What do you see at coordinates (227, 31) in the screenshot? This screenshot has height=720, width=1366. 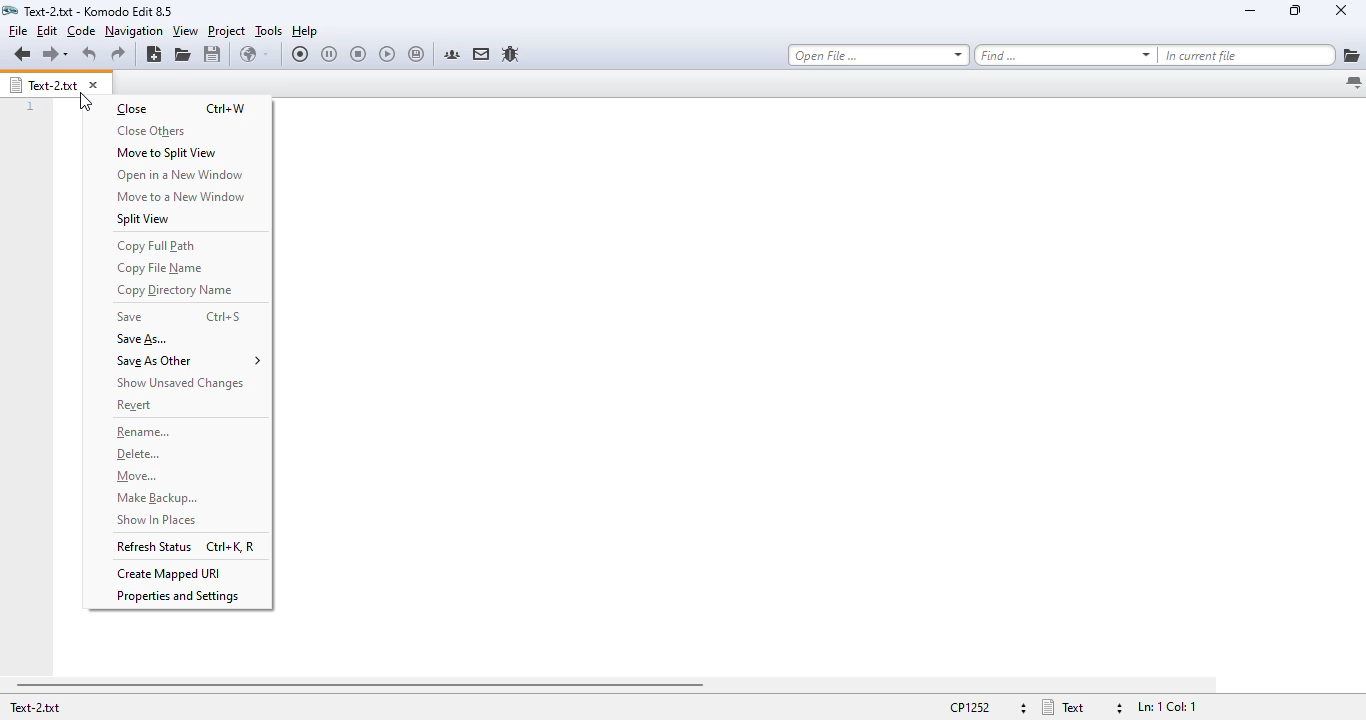 I see `project` at bounding box center [227, 31].